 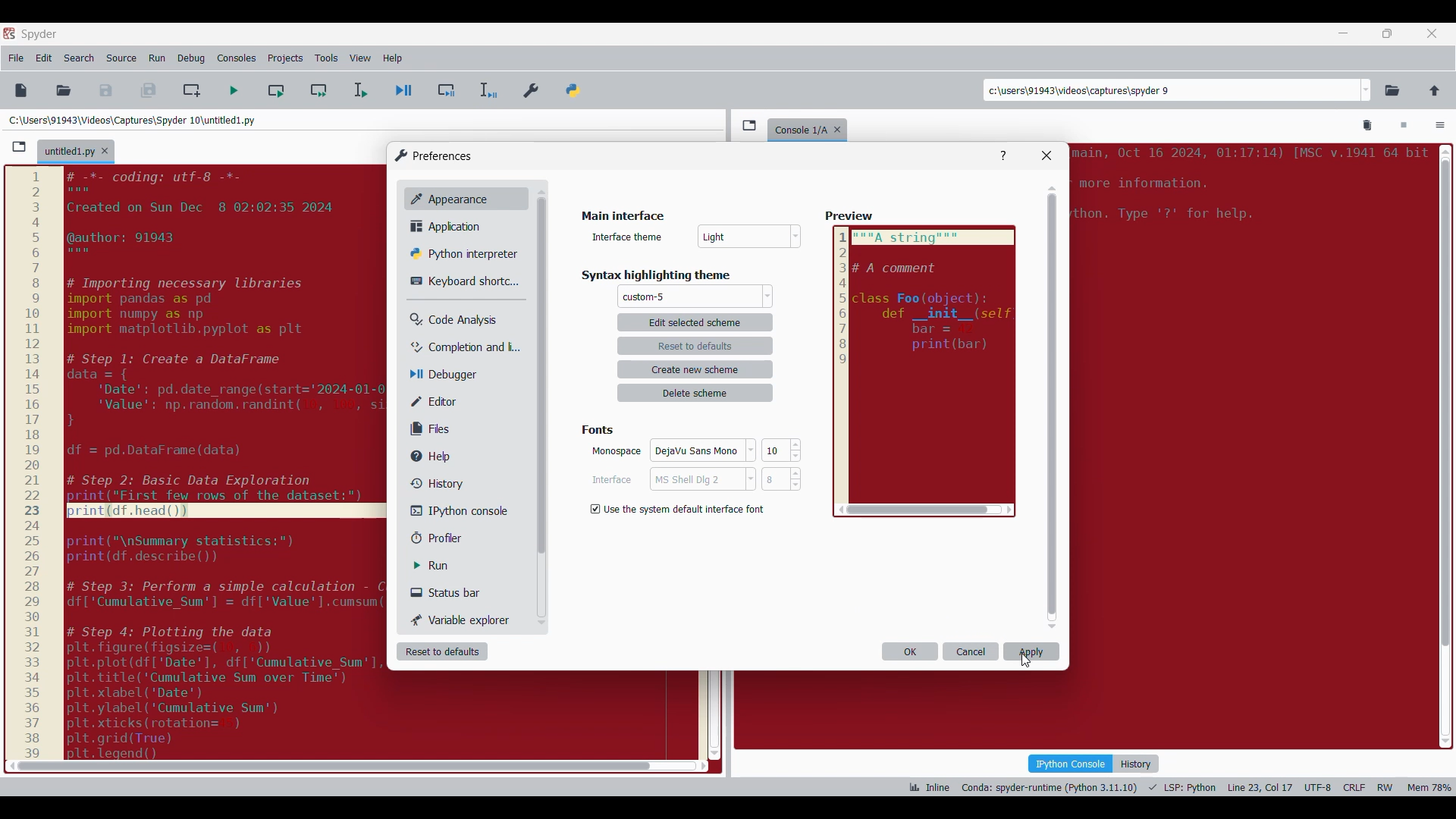 I want to click on Enter locations, so click(x=1171, y=90).